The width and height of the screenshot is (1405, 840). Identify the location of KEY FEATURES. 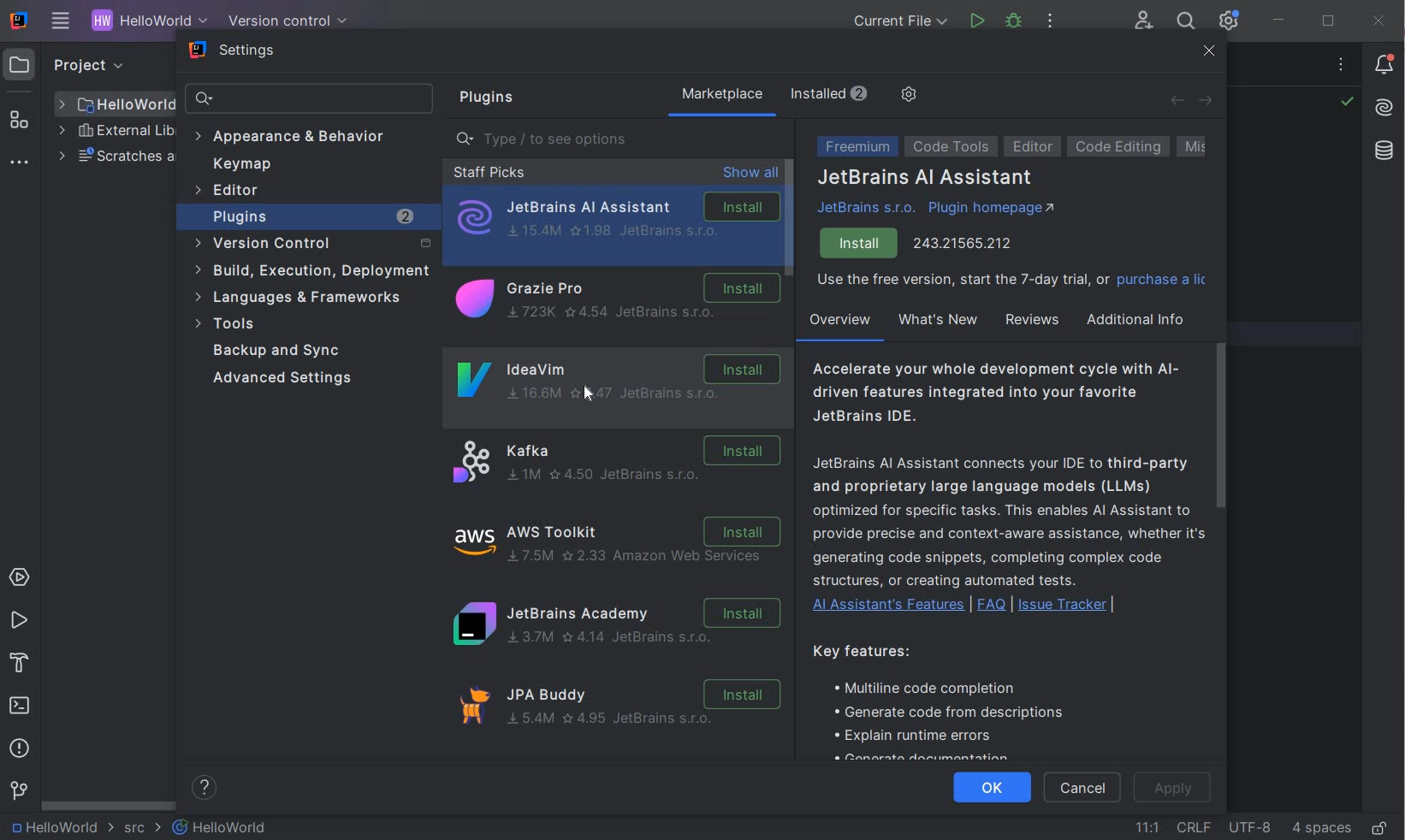
(951, 700).